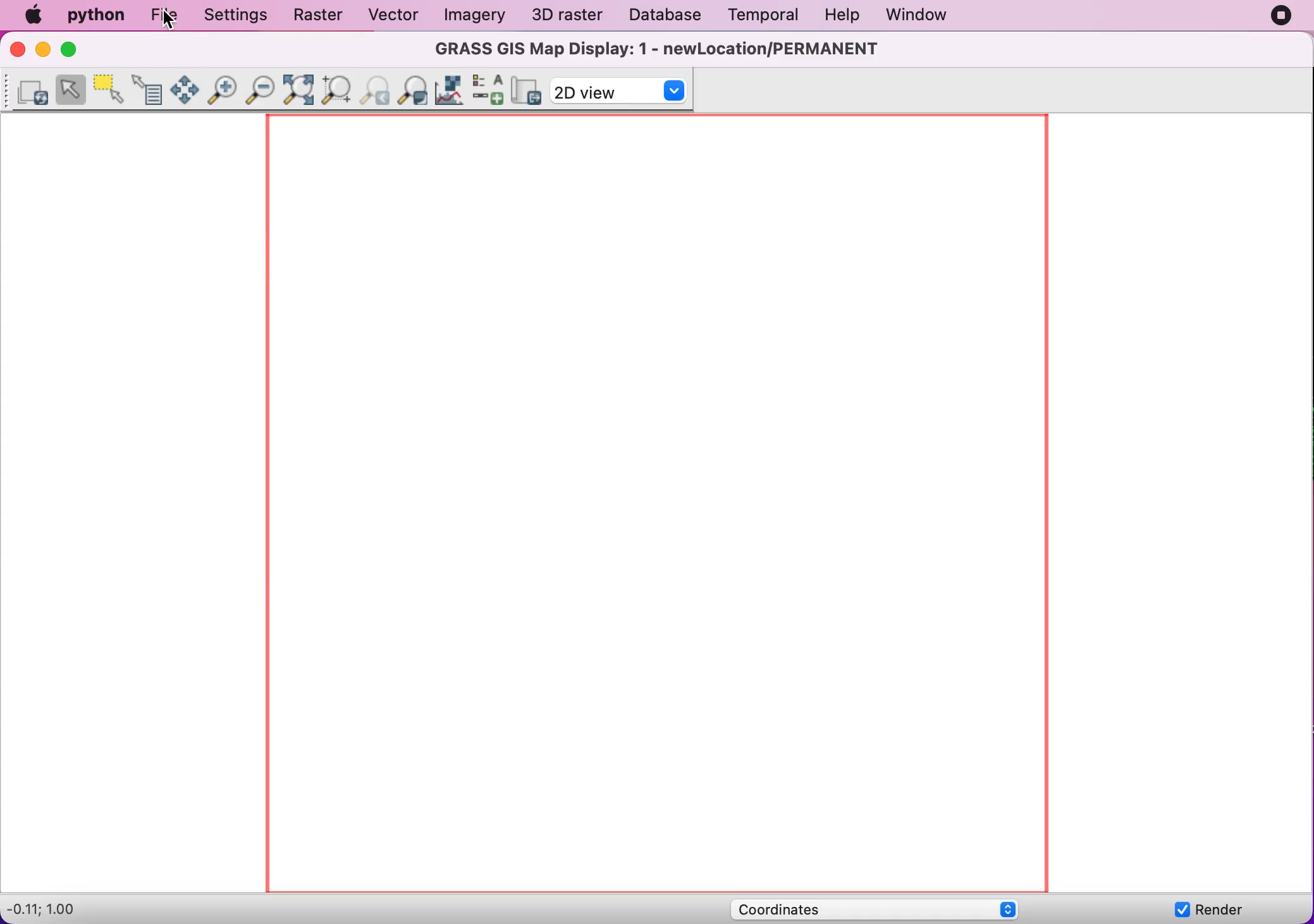  Describe the element at coordinates (489, 89) in the screenshot. I see `add overlay` at that location.